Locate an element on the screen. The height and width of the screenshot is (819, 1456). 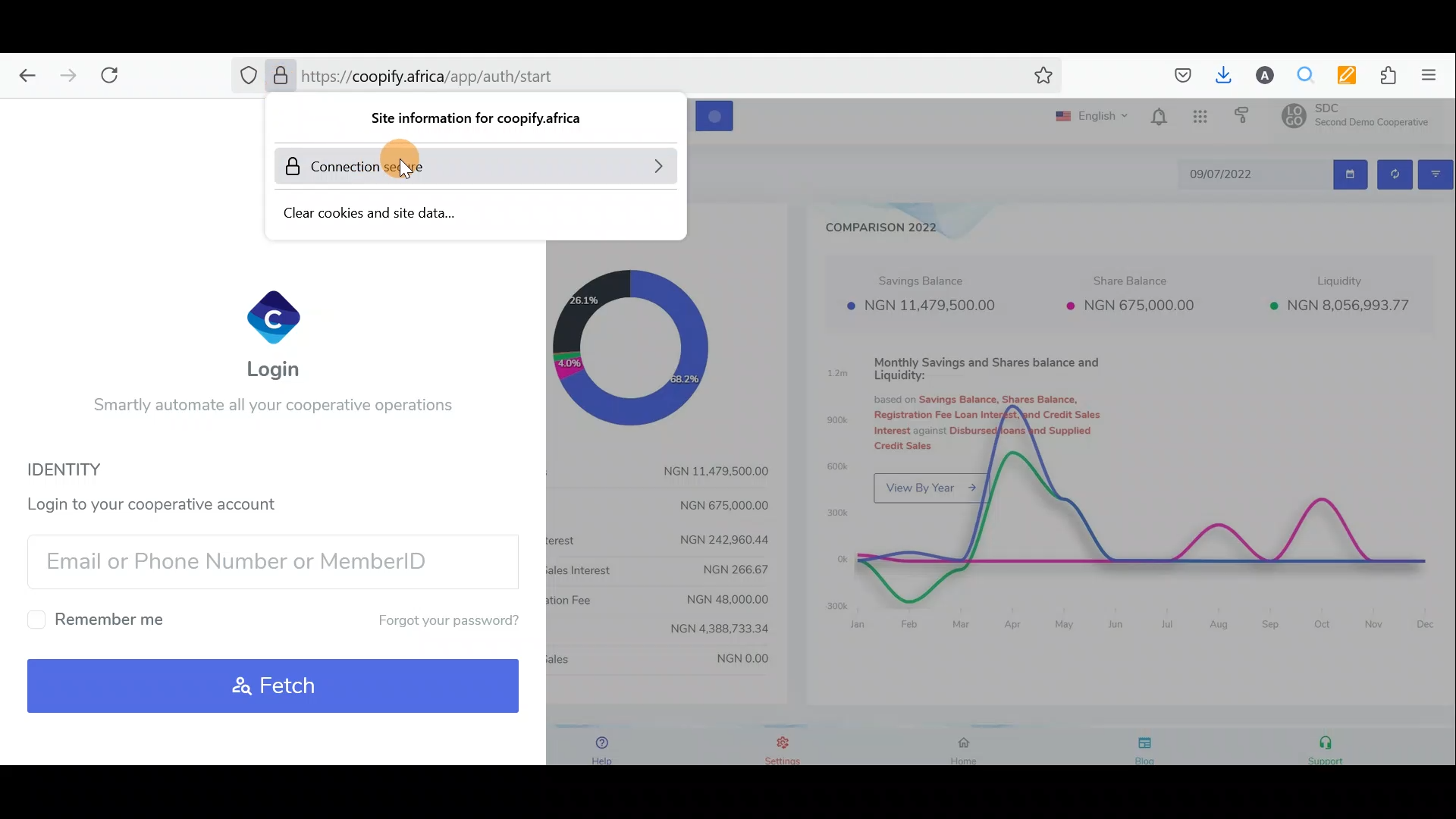
Dashboard with charts is located at coordinates (1084, 434).